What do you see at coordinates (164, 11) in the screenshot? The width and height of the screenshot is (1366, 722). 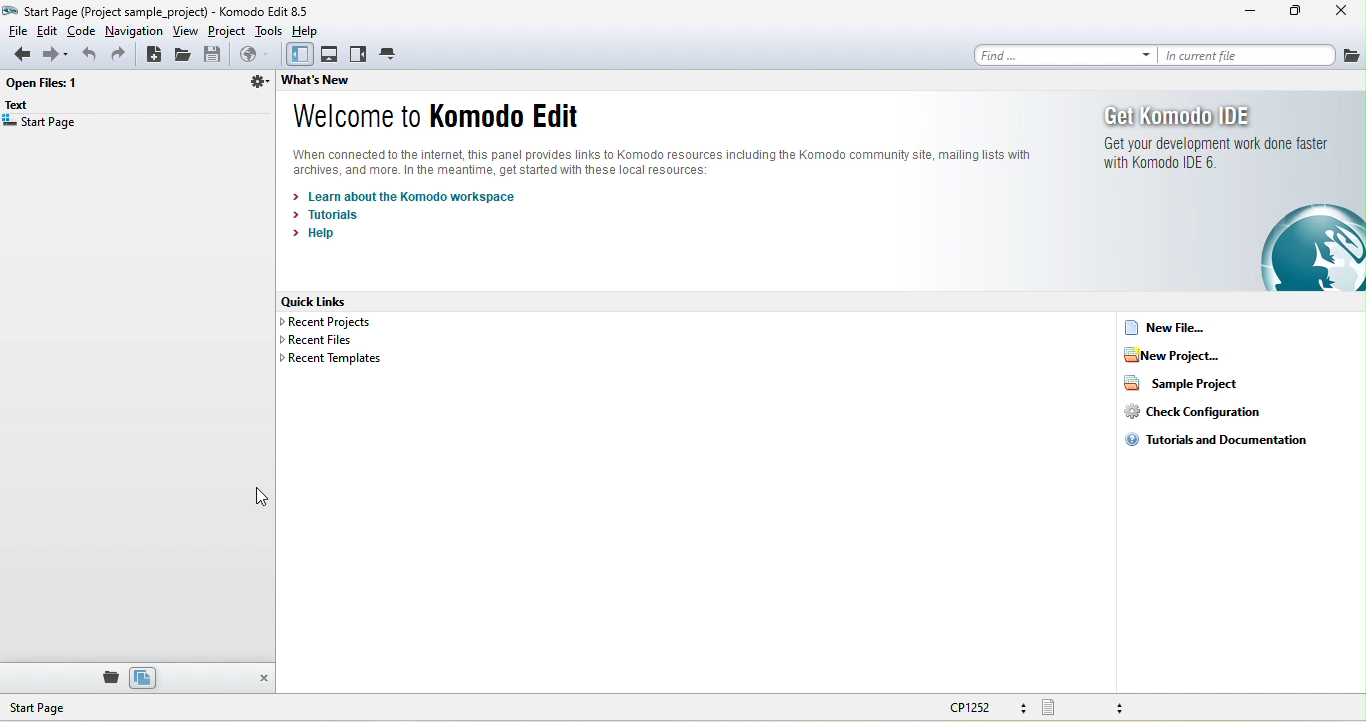 I see `title` at bounding box center [164, 11].